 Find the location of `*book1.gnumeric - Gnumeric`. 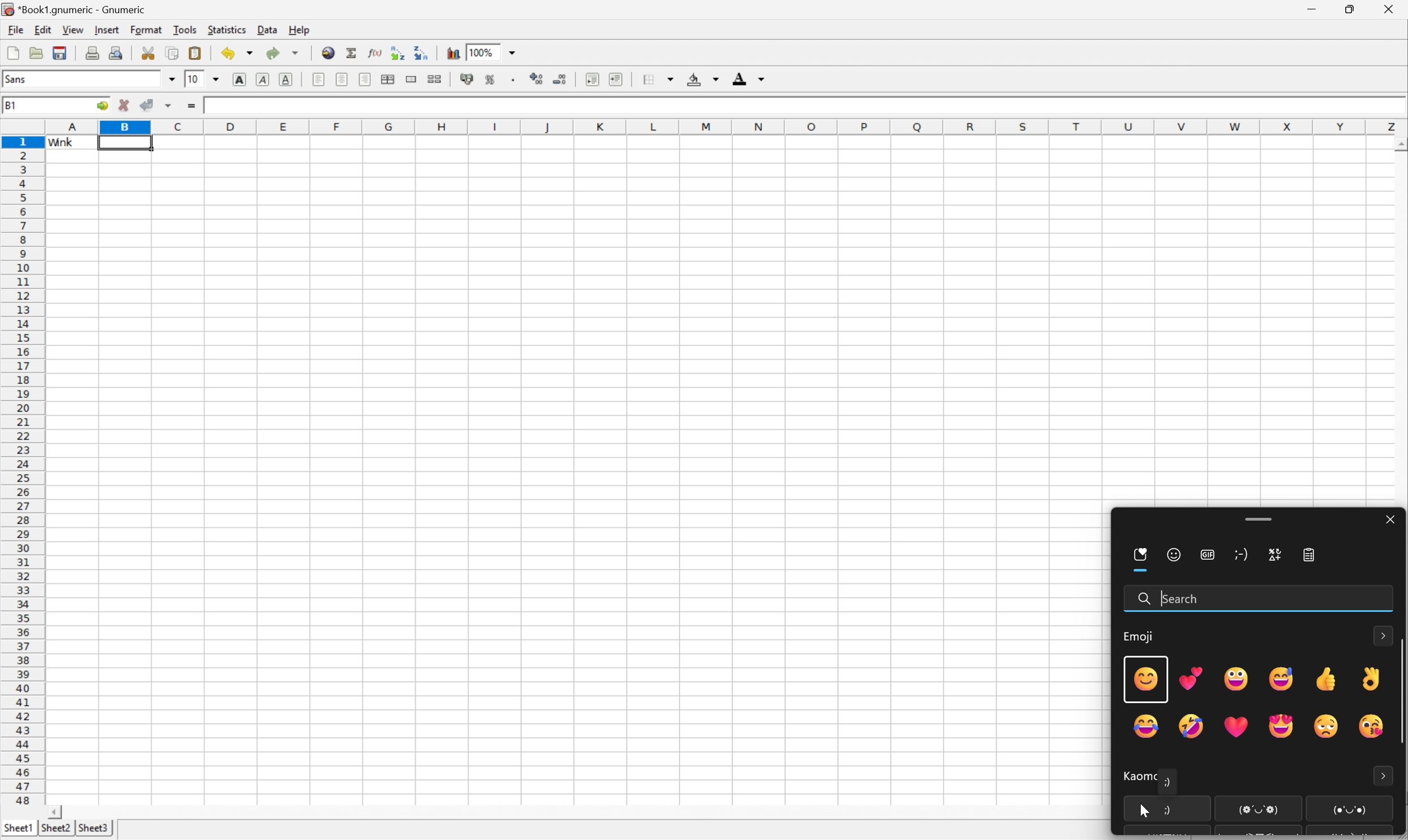

*book1.gnumeric - Gnumeric is located at coordinates (74, 9).